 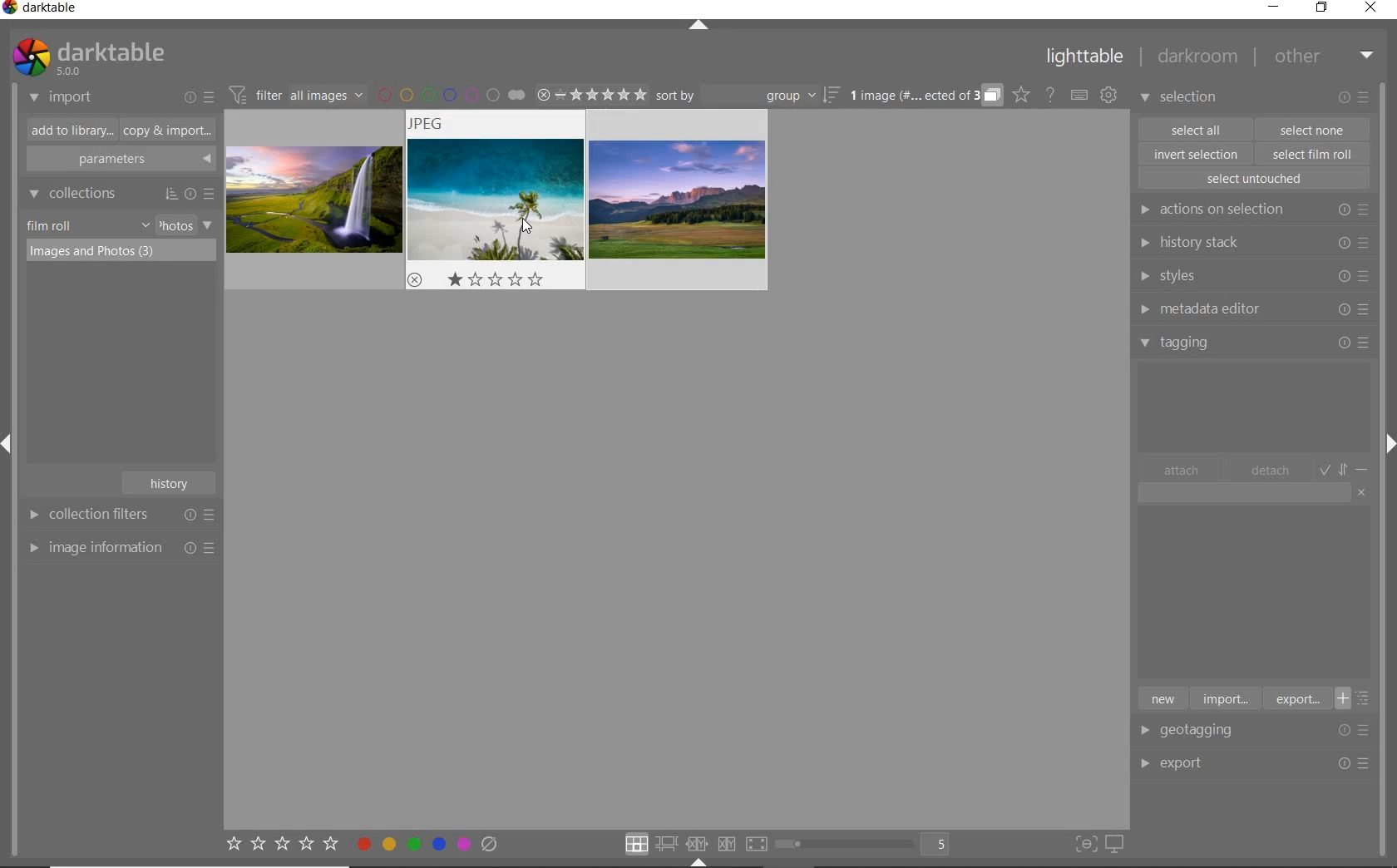 What do you see at coordinates (1359, 730) in the screenshot?
I see `Options` at bounding box center [1359, 730].